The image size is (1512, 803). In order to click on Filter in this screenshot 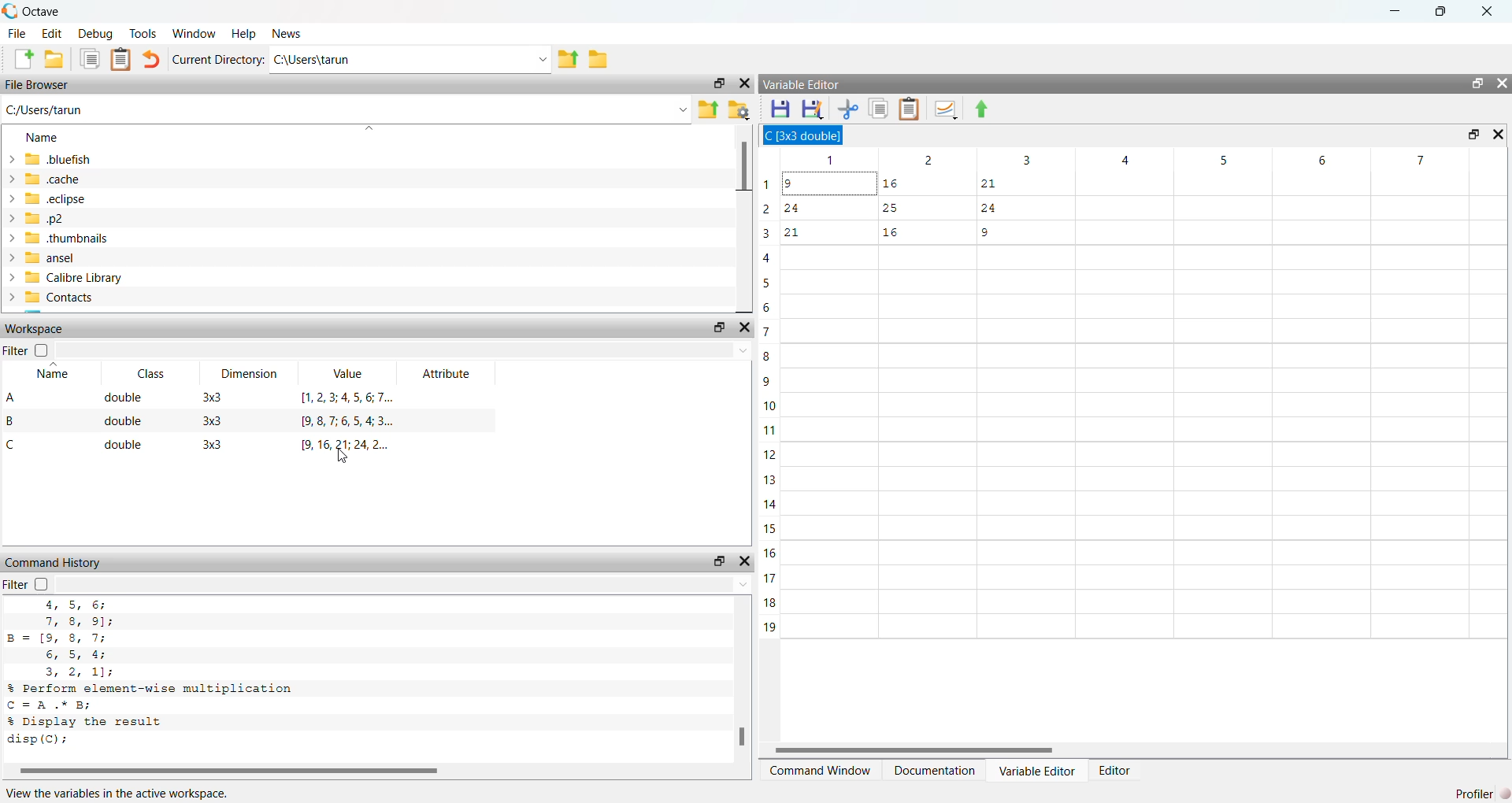, I will do `click(16, 350)`.